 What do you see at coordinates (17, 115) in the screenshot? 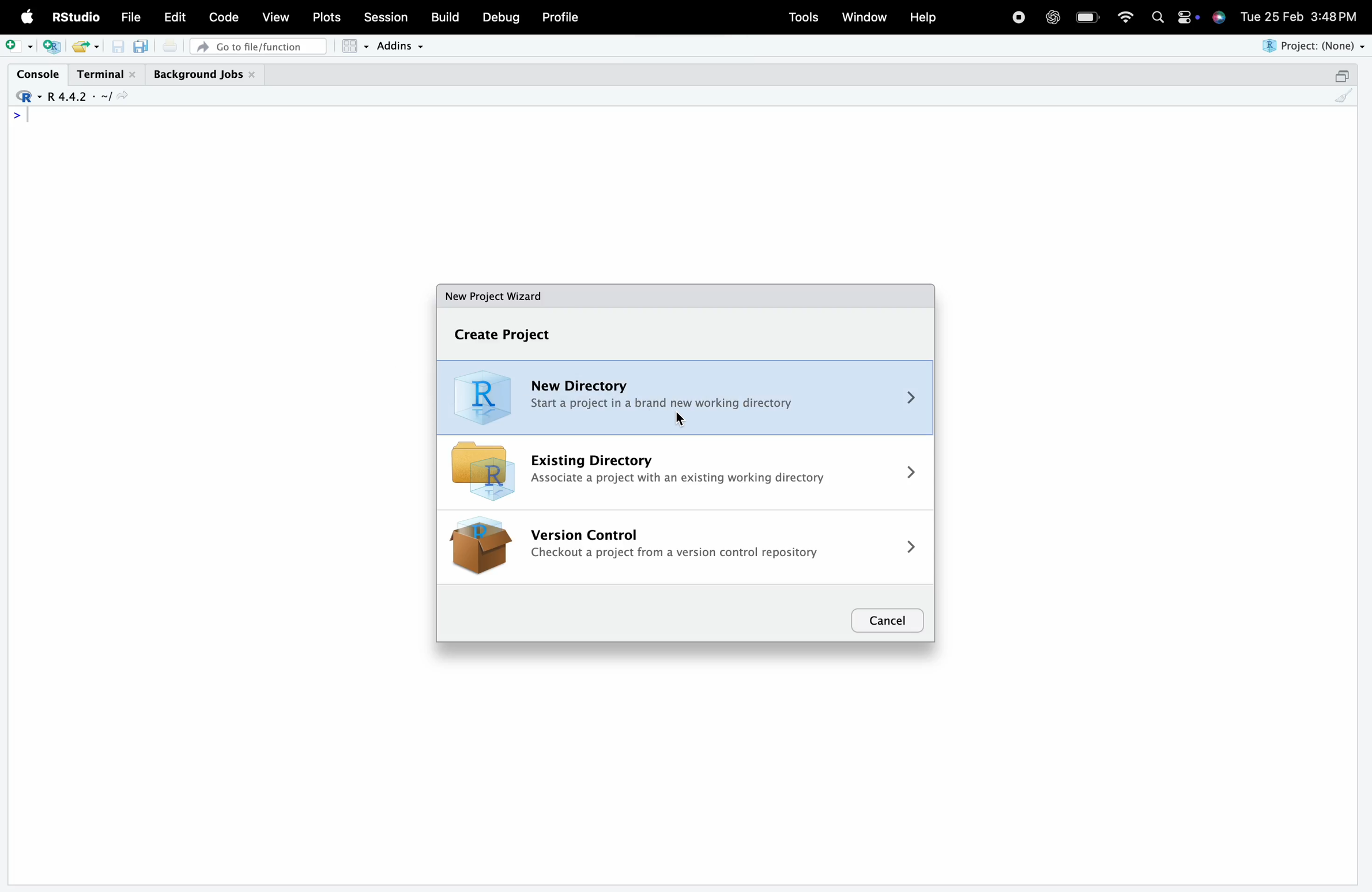
I see `>` at bounding box center [17, 115].